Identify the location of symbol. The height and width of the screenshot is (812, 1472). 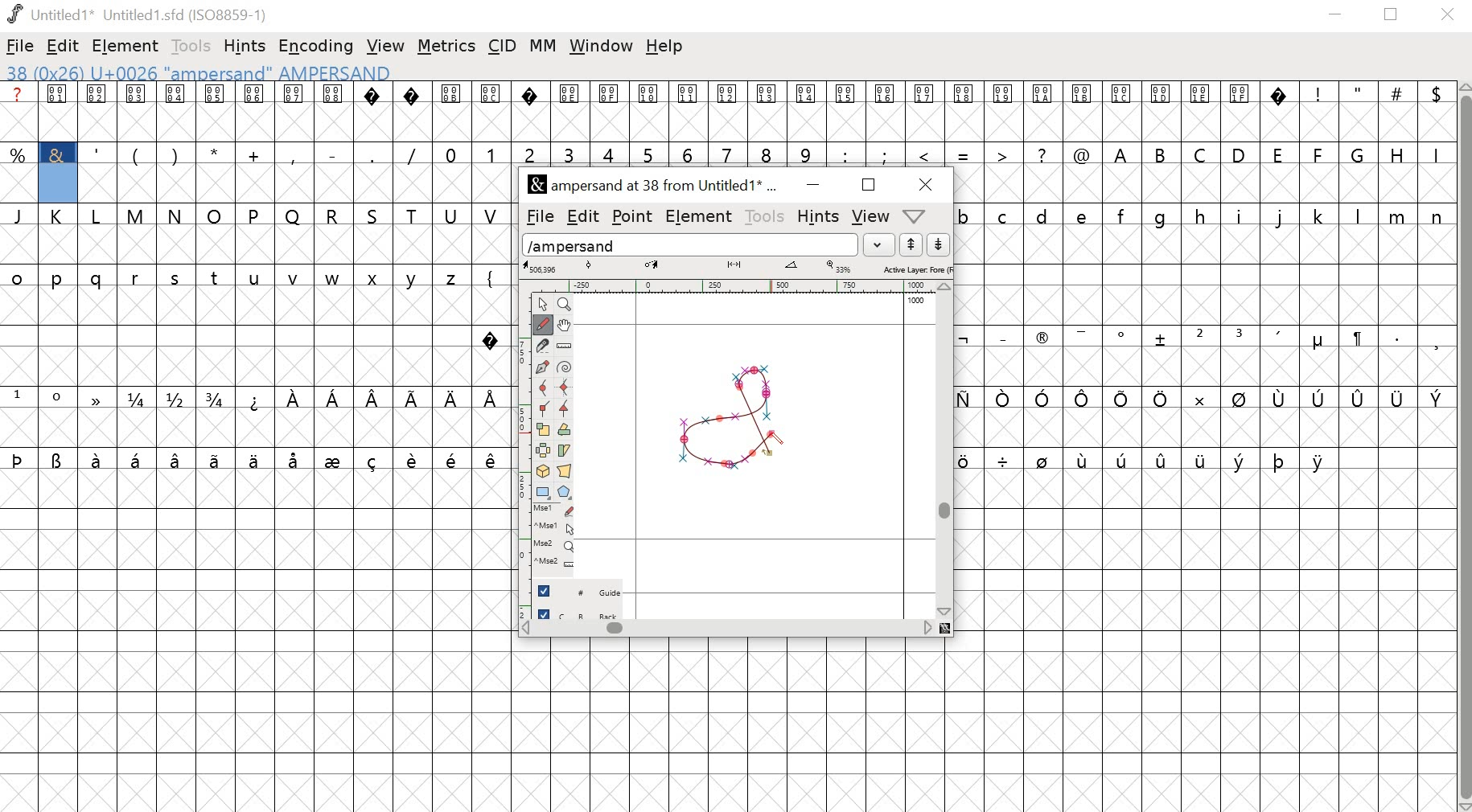
(1239, 399).